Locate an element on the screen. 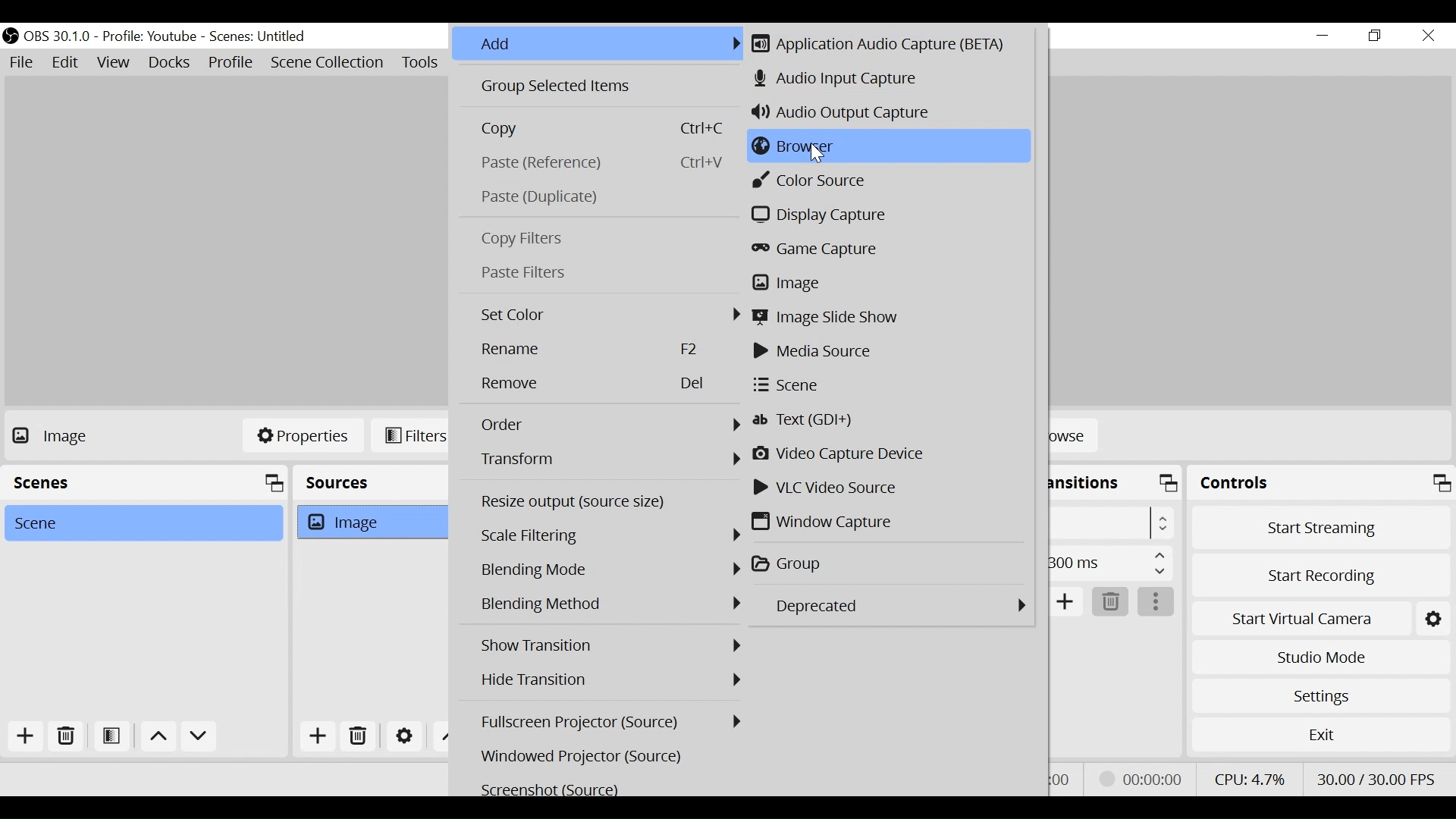 This screenshot has width=1456, height=819. Duration is located at coordinates (1111, 565).